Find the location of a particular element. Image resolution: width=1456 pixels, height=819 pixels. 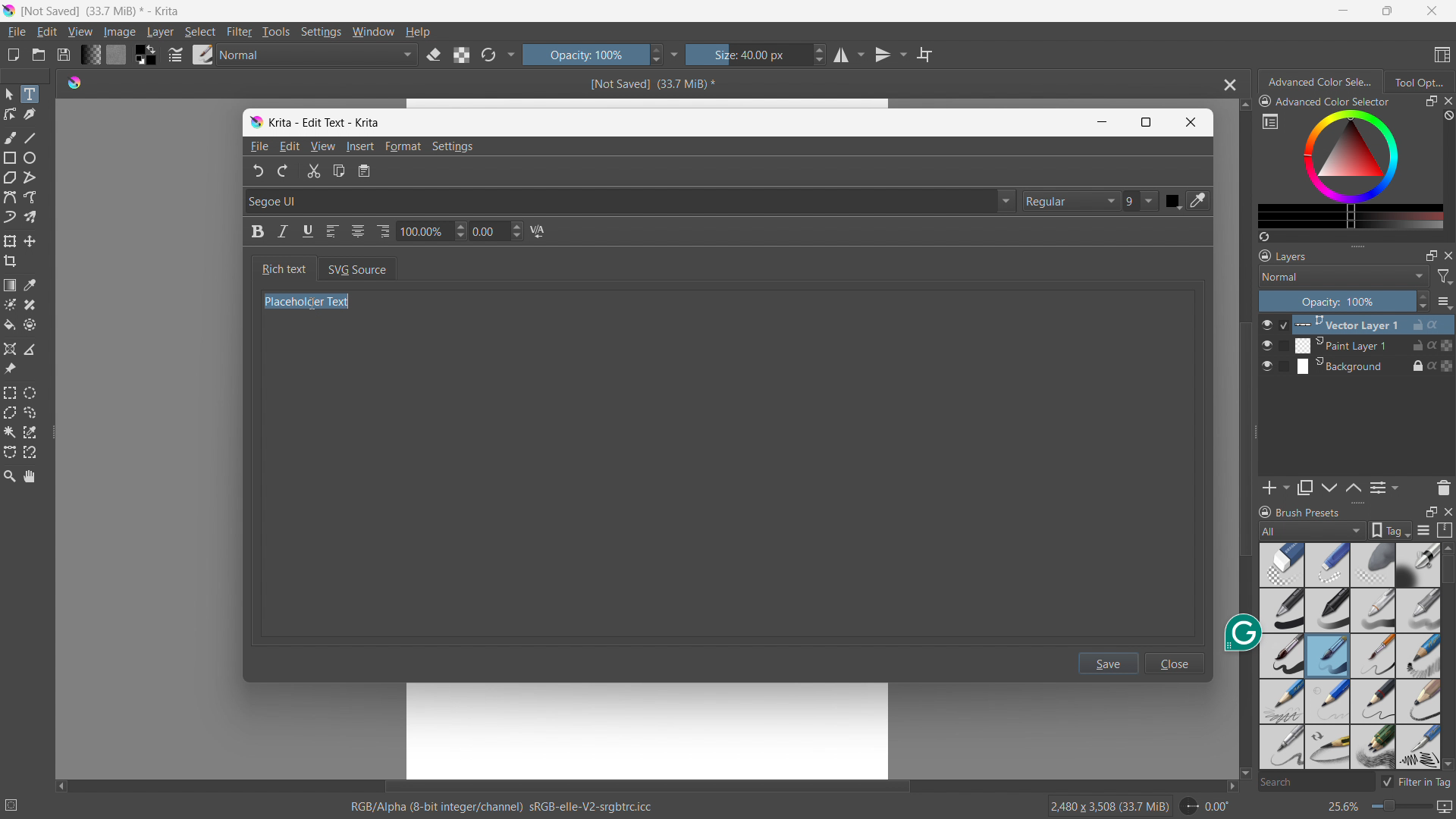

settings is located at coordinates (321, 33).